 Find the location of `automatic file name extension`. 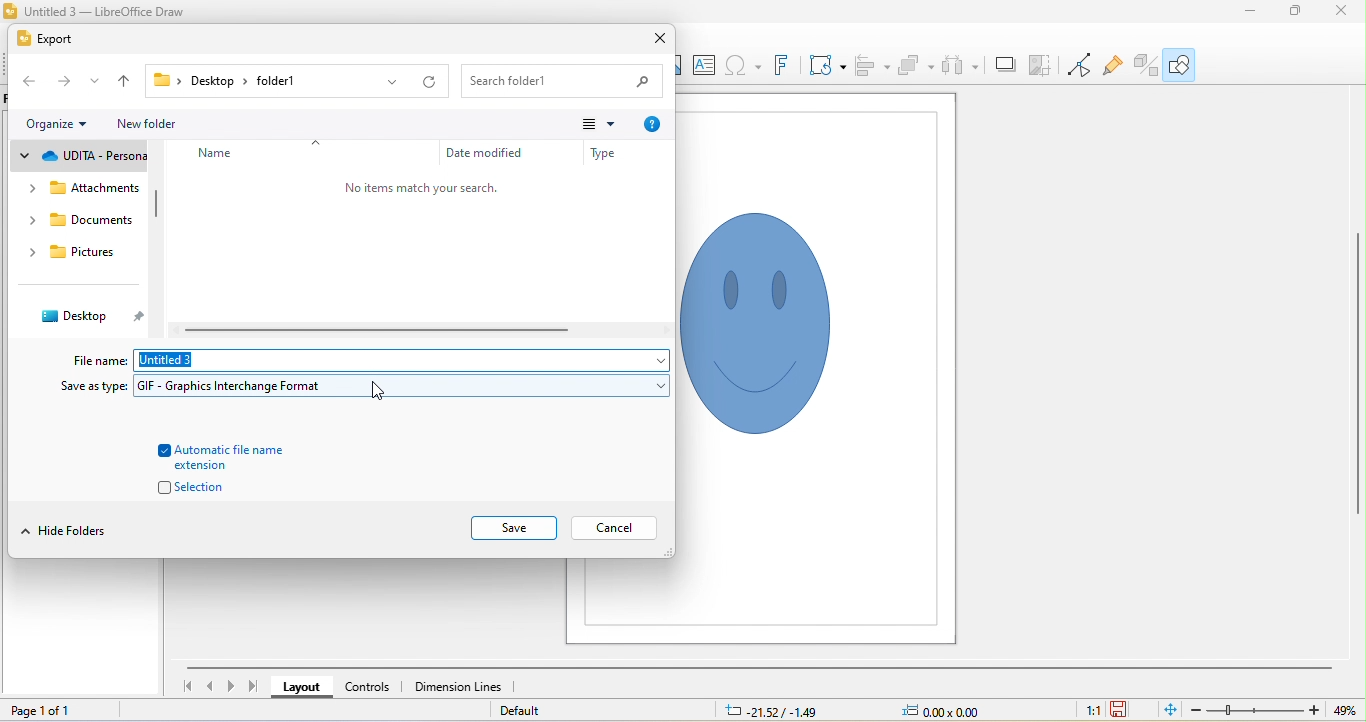

automatic file name extension is located at coordinates (231, 456).